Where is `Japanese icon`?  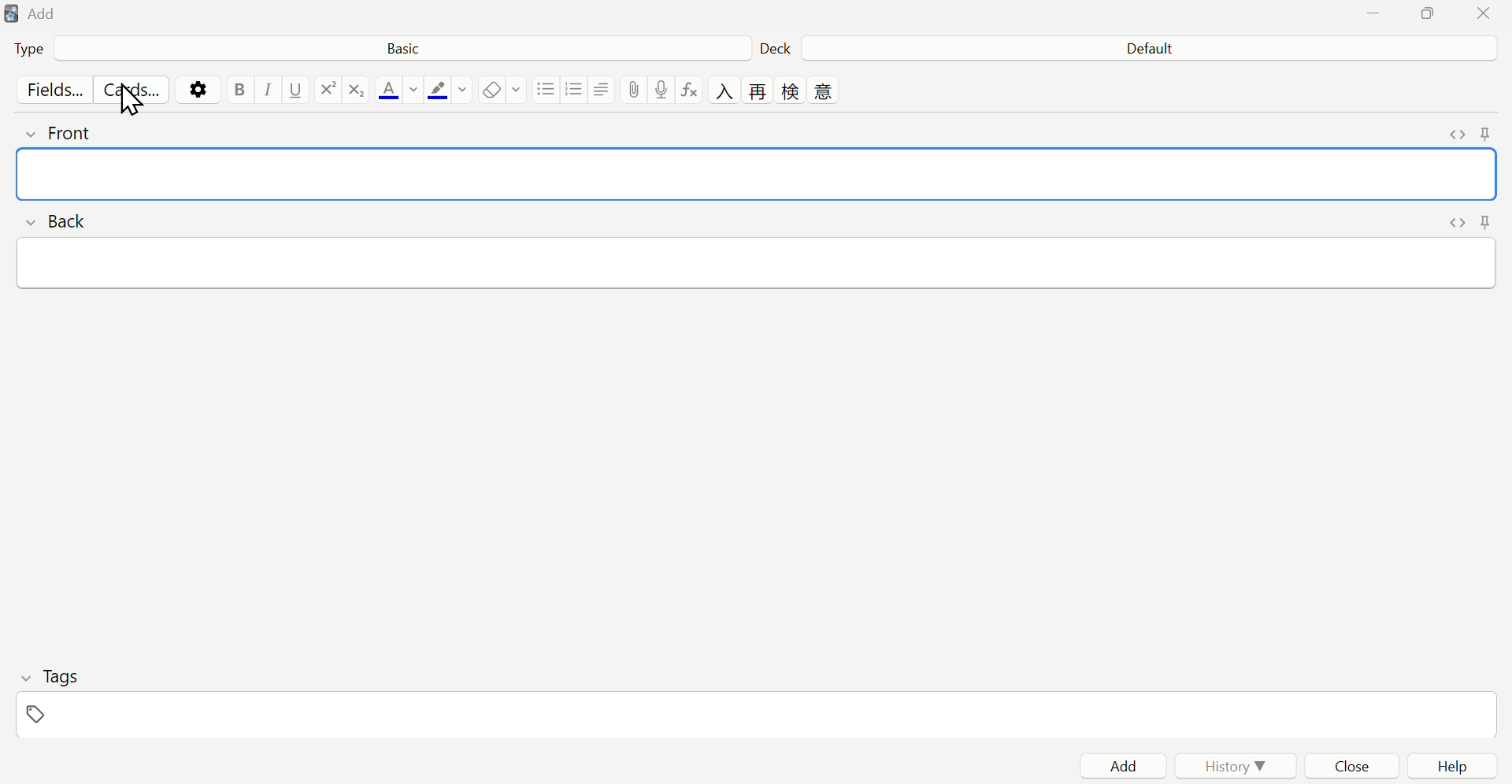 Japanese icon is located at coordinates (761, 91).